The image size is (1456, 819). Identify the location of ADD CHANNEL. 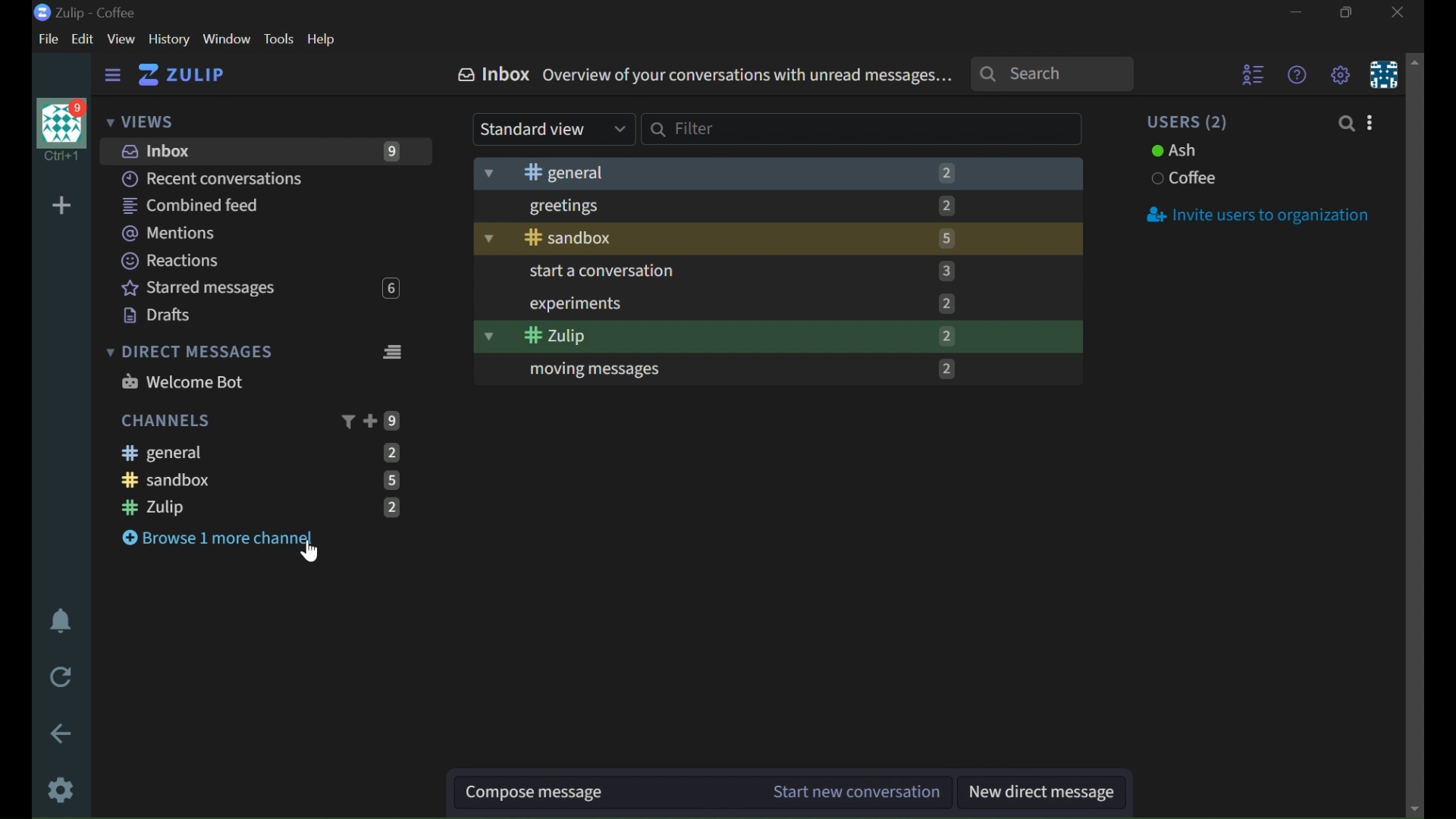
(369, 422).